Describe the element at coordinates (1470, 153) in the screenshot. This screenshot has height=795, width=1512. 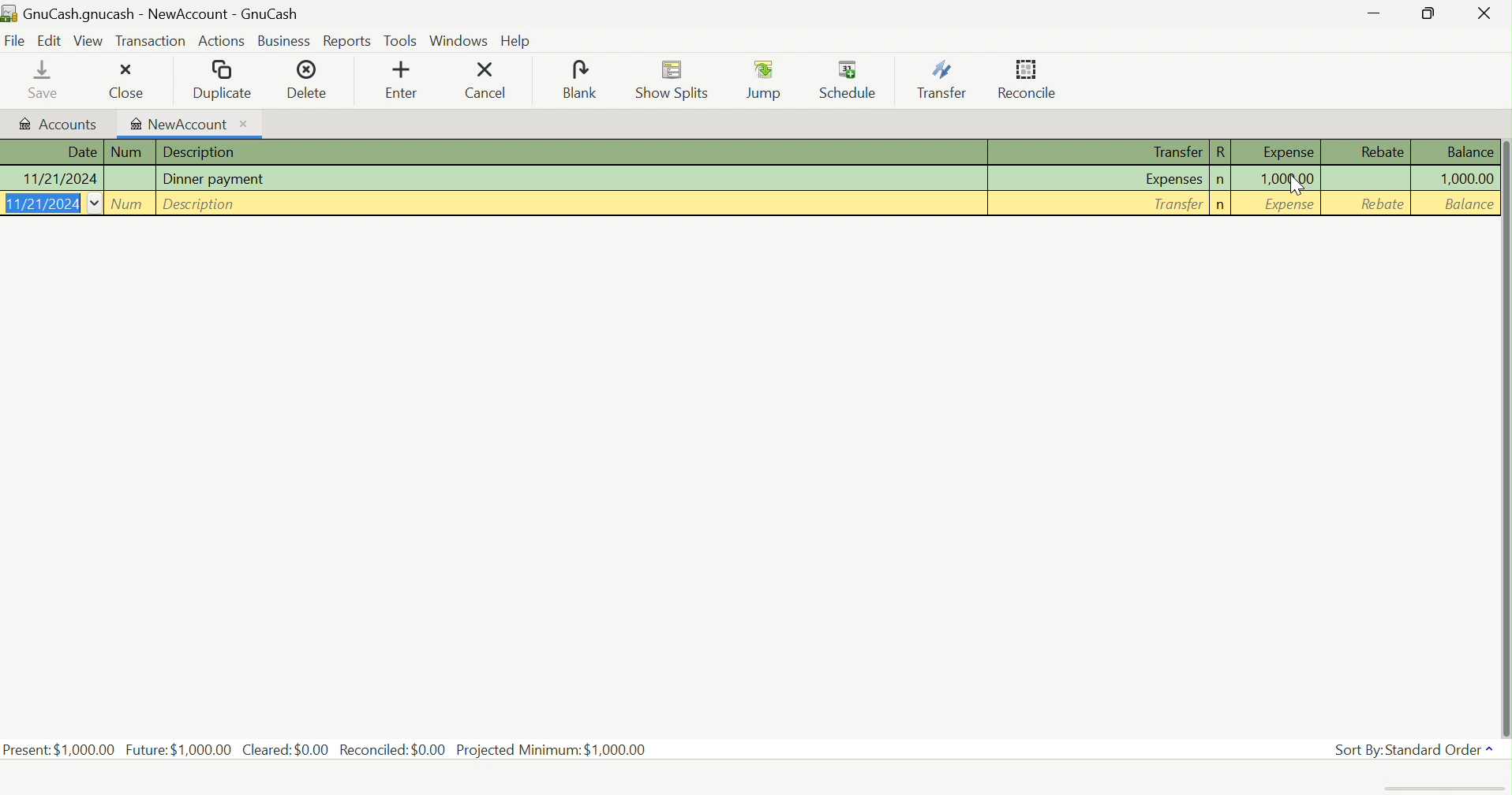
I see `Balance` at that location.